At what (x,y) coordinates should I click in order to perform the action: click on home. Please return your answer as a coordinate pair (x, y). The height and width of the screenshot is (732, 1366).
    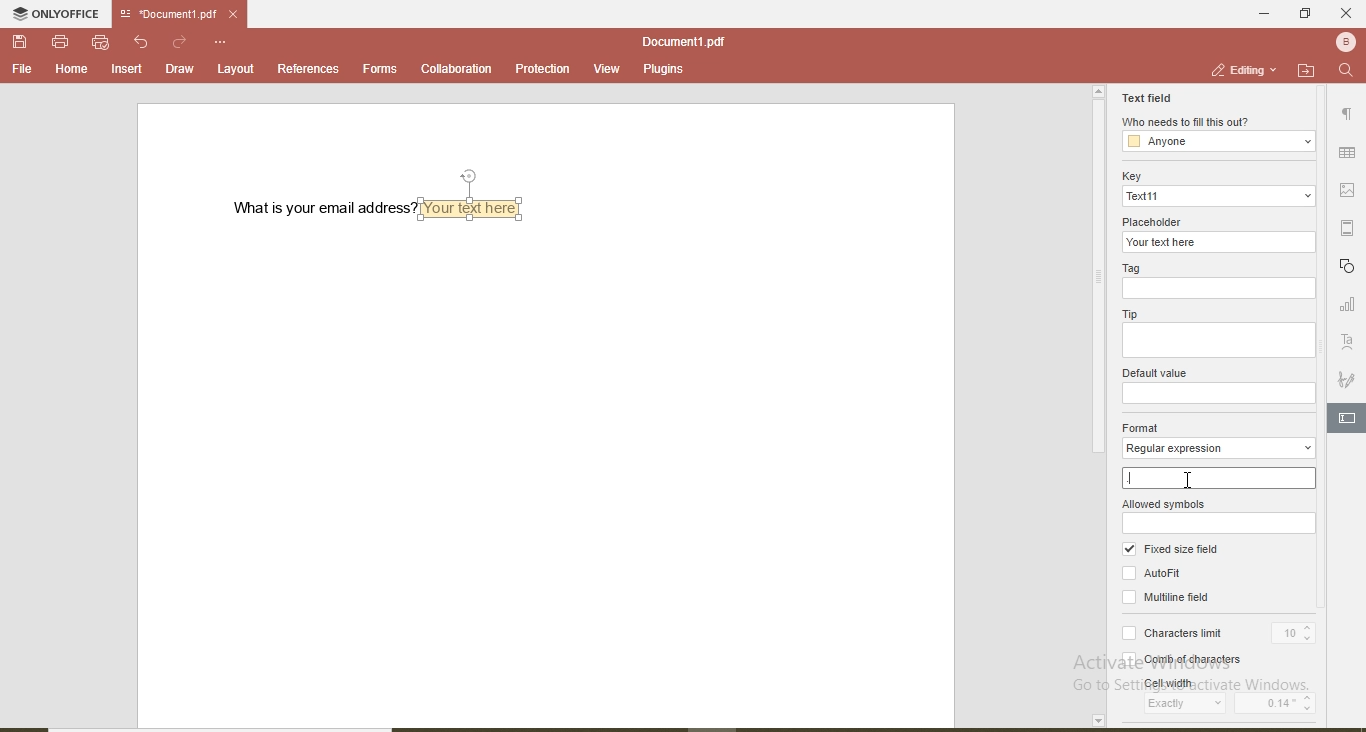
    Looking at the image, I should click on (68, 69).